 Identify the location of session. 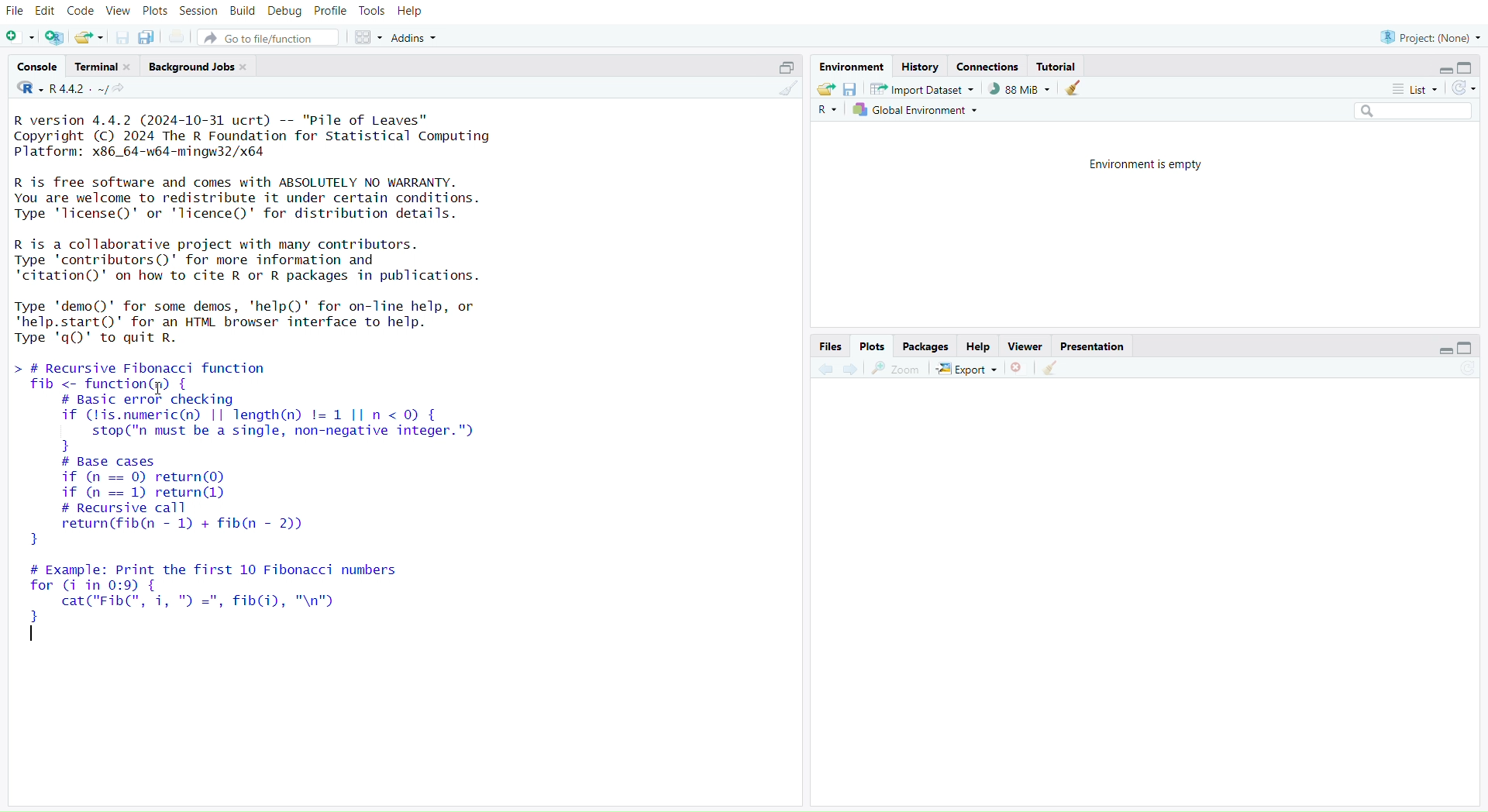
(198, 12).